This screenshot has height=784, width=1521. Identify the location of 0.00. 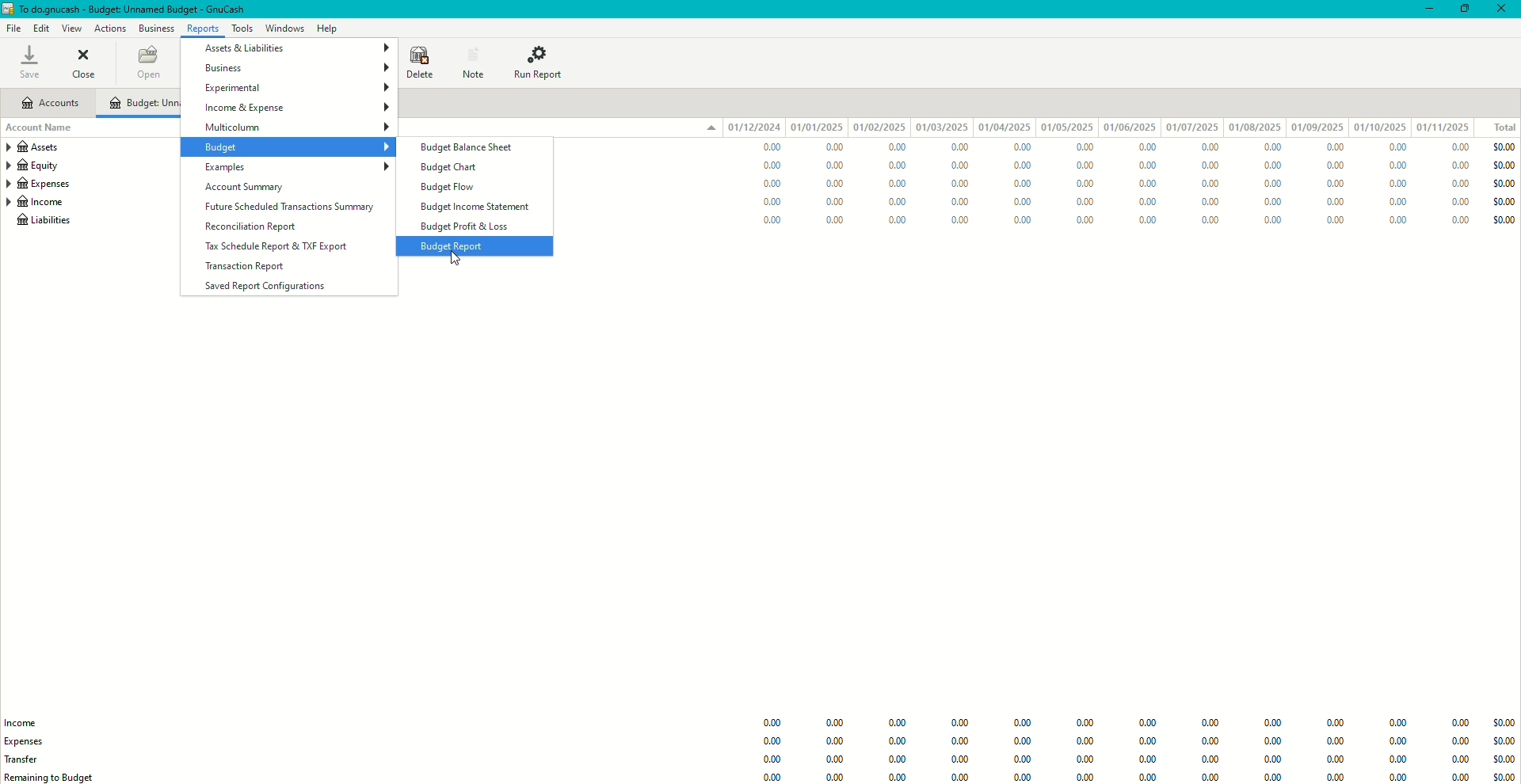
(1087, 743).